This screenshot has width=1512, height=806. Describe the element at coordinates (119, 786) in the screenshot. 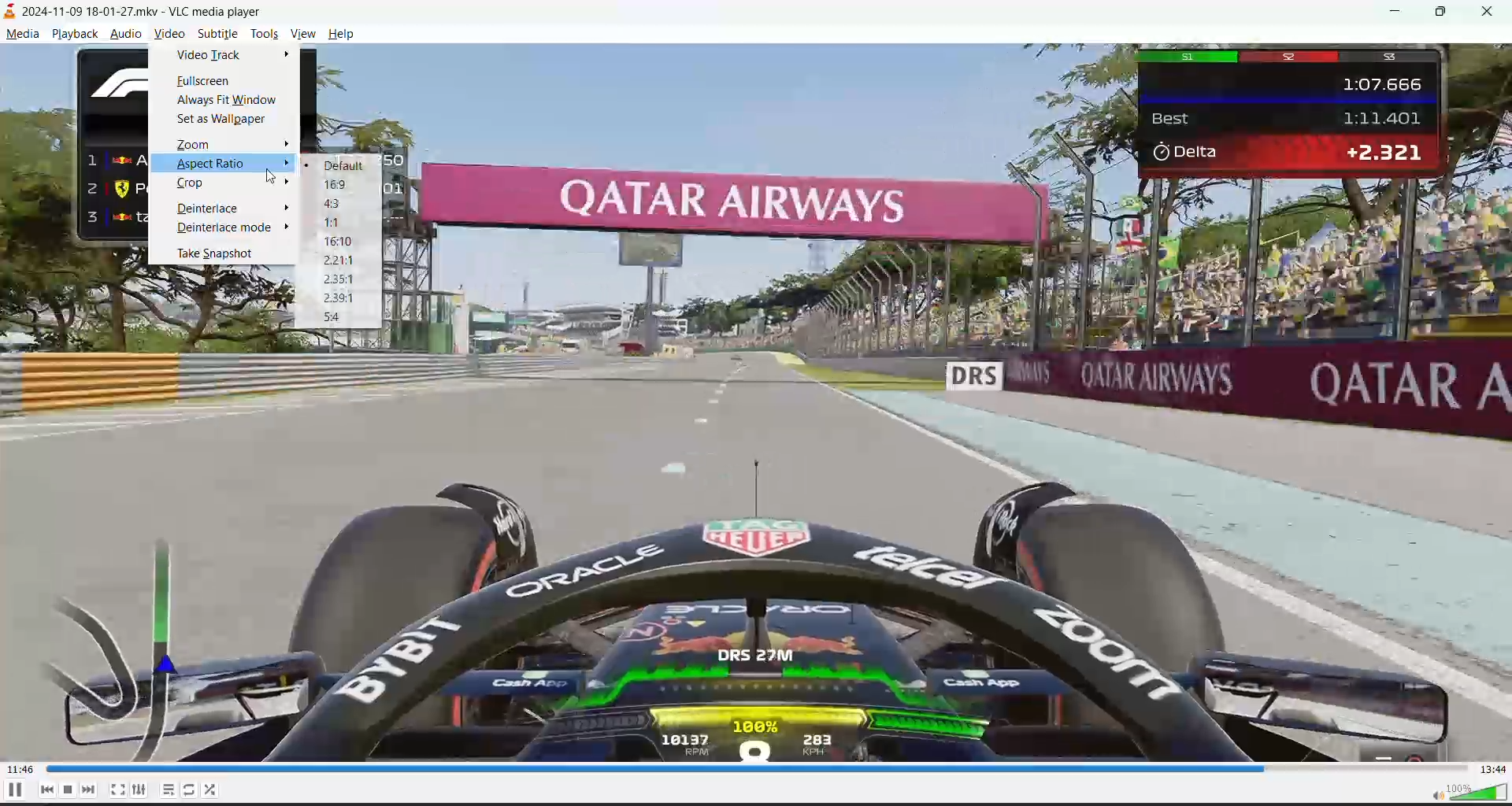

I see `fullscreen` at that location.